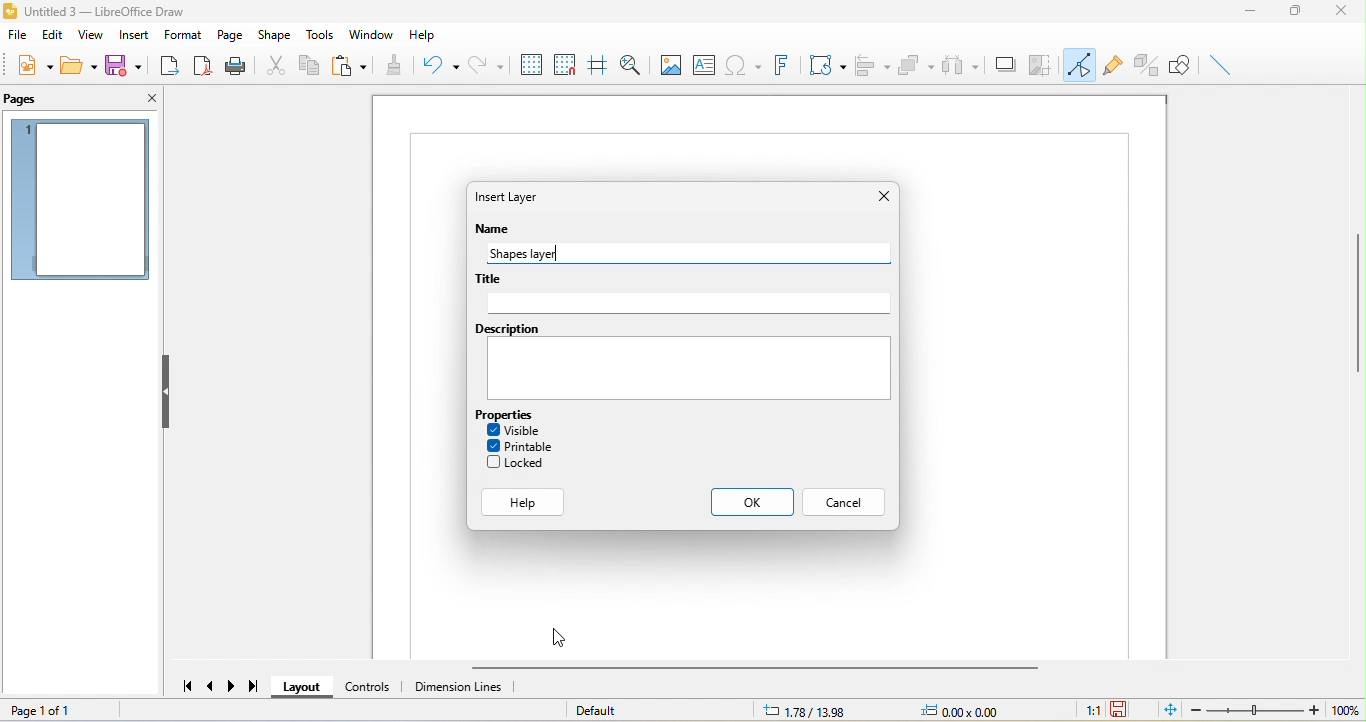 The width and height of the screenshot is (1366, 722). I want to click on first page, so click(183, 686).